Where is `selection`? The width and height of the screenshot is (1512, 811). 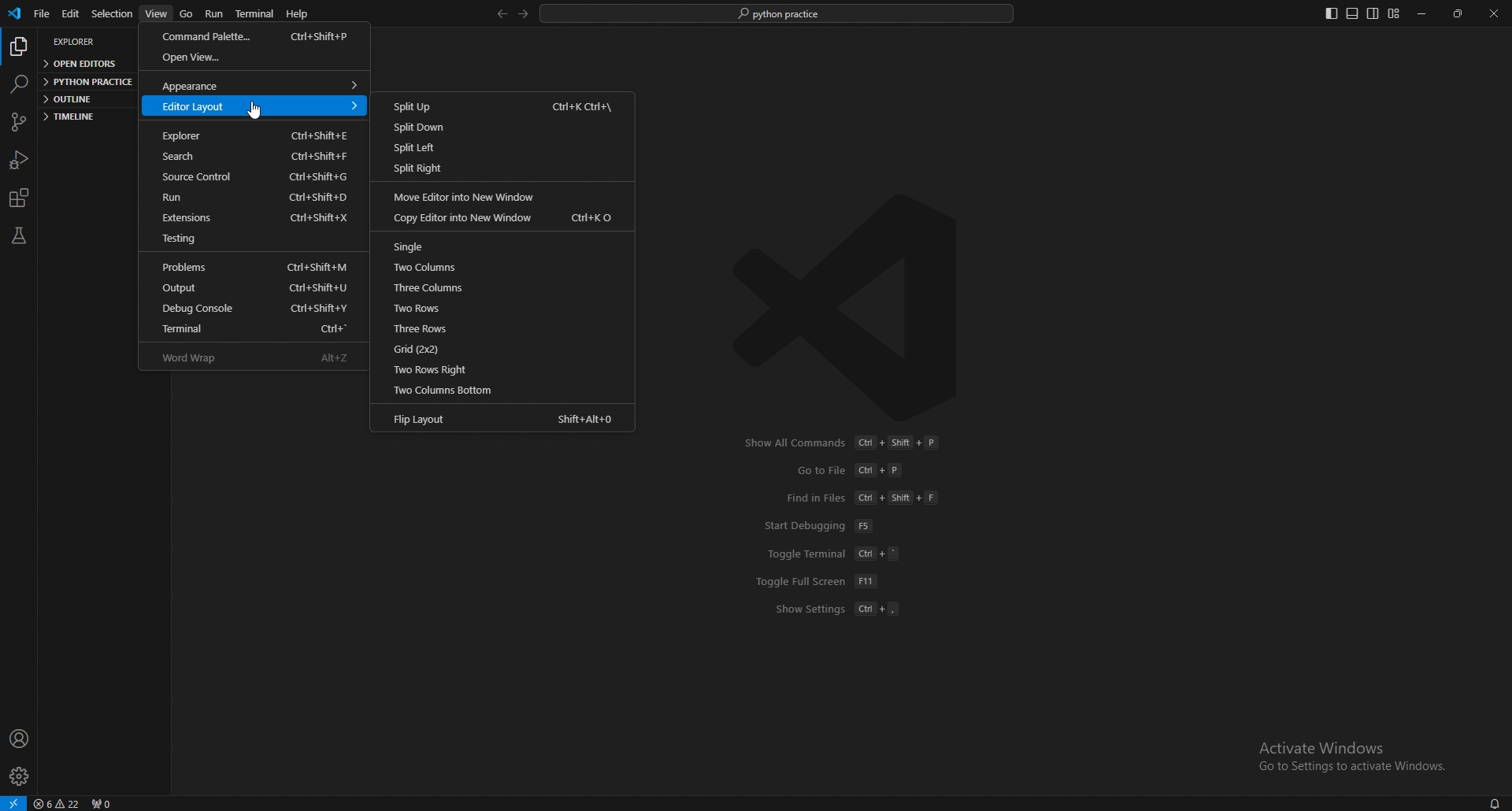 selection is located at coordinates (112, 13).